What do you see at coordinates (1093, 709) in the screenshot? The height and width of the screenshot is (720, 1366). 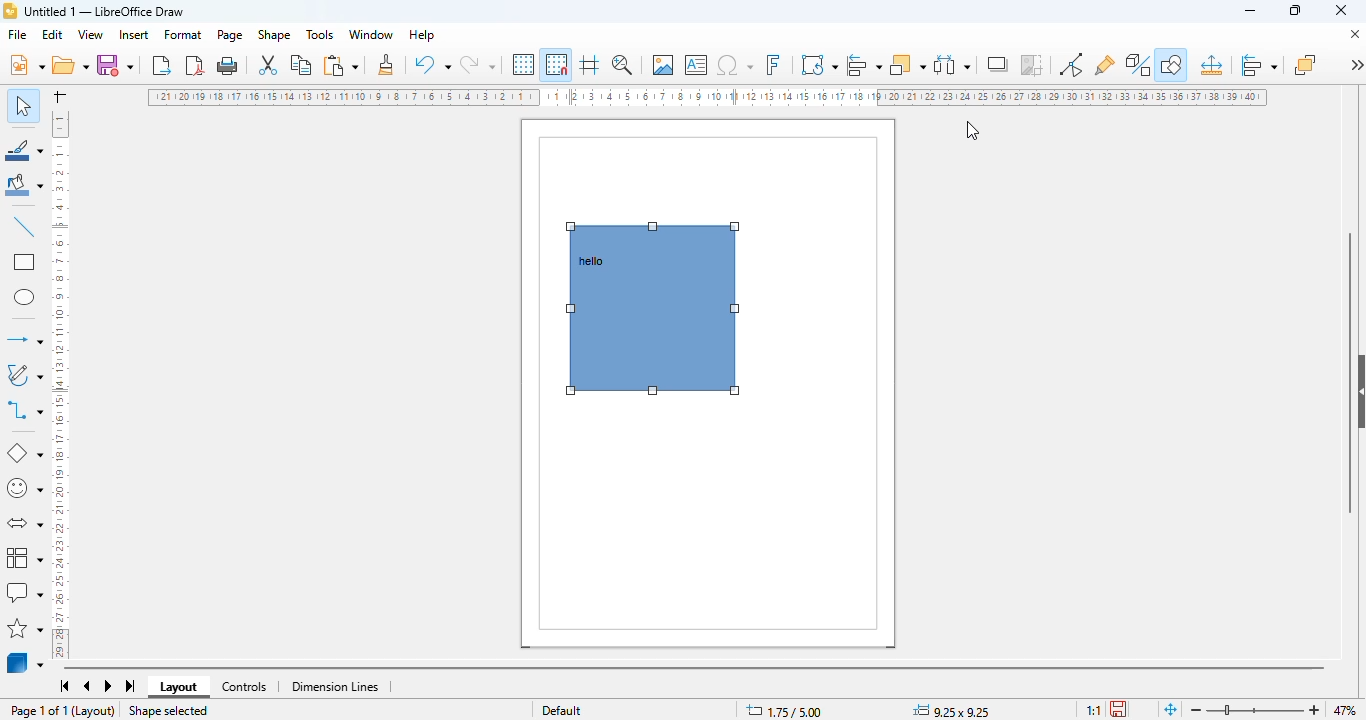 I see `scaling factor of the document` at bounding box center [1093, 709].